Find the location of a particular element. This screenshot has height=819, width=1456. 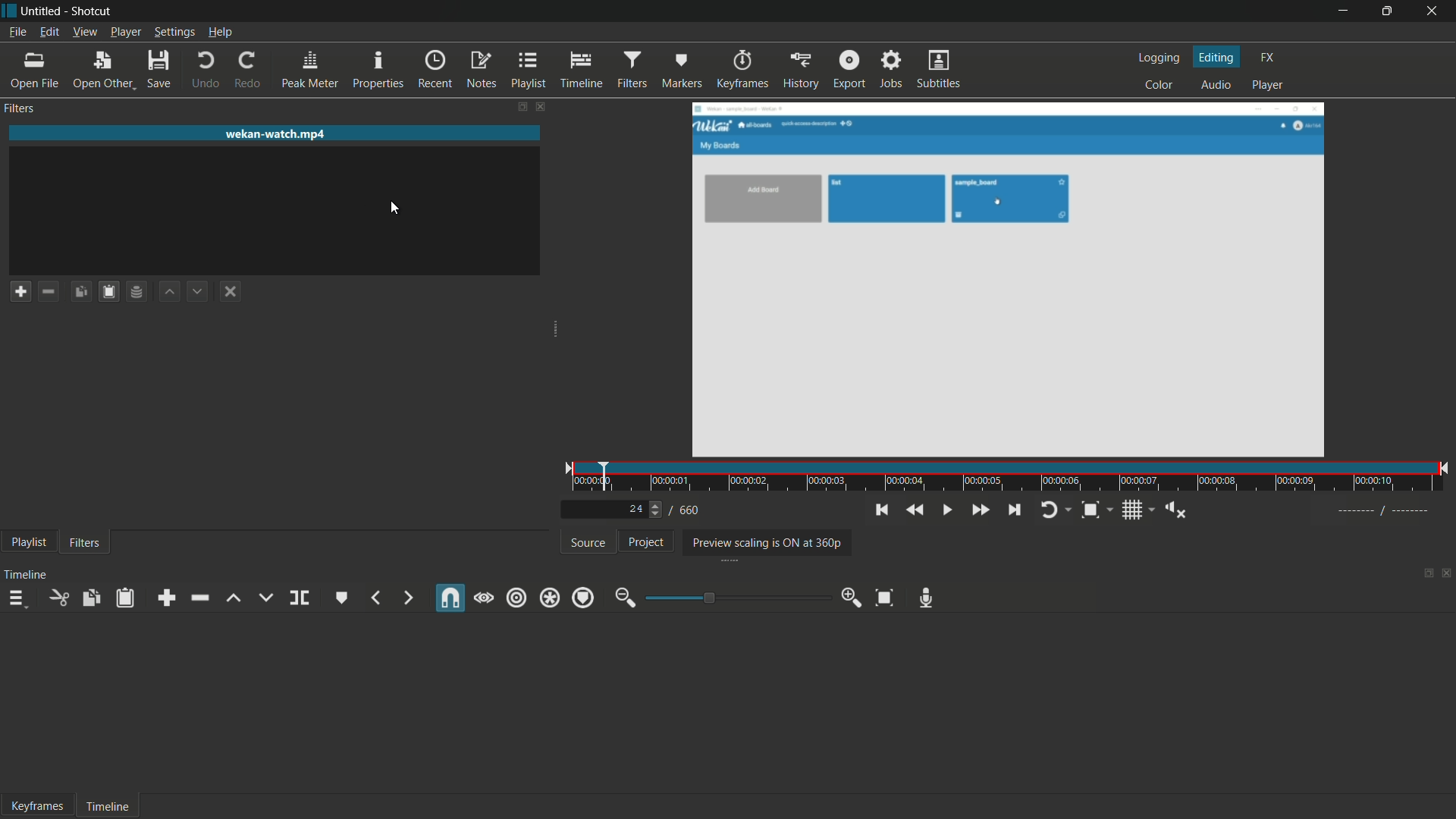

app icon is located at coordinates (9, 10).